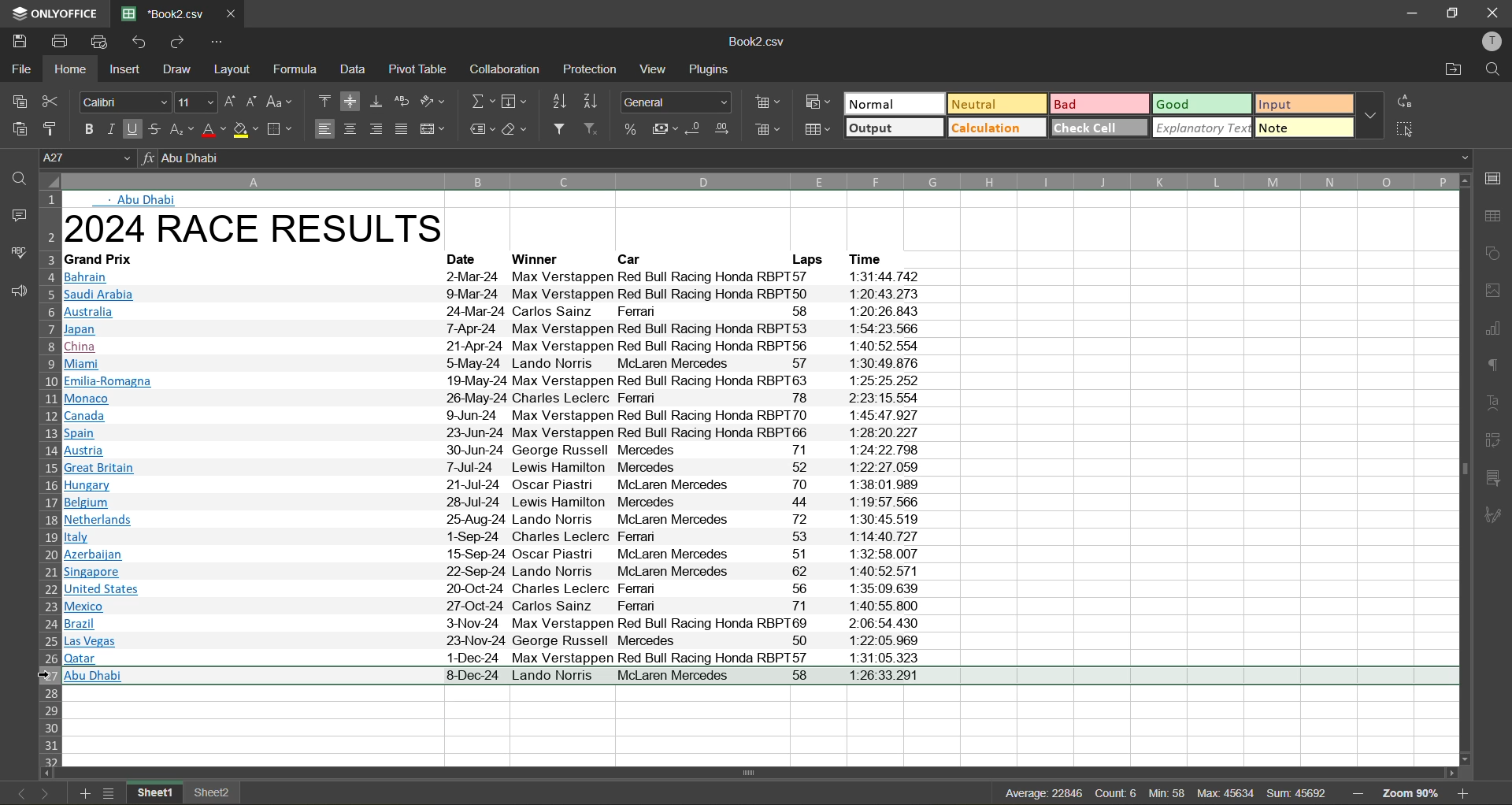 The height and width of the screenshot is (805, 1512). Describe the element at coordinates (358, 69) in the screenshot. I see `data` at that location.